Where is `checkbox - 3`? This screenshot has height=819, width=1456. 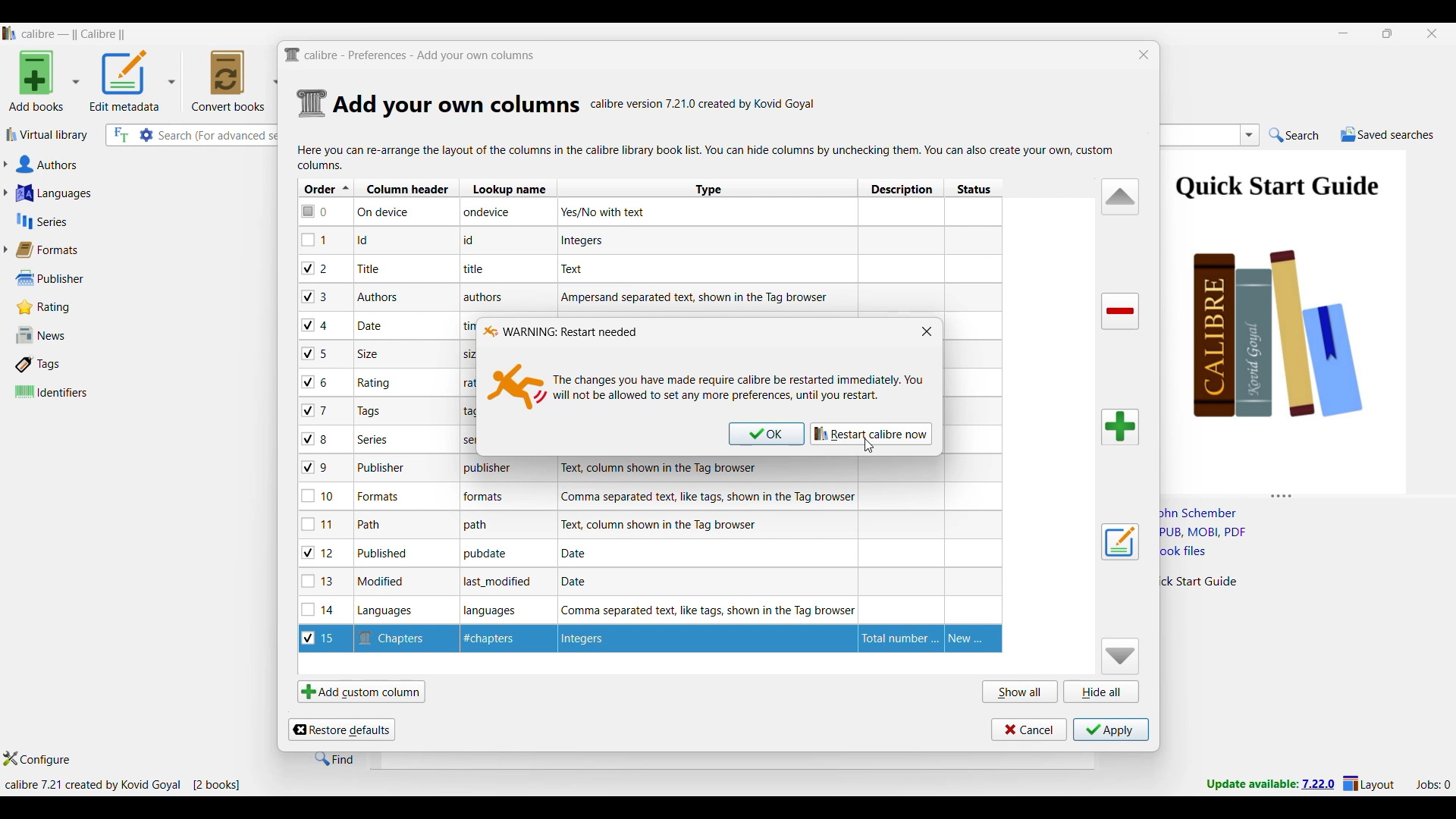
checkbox - 3 is located at coordinates (316, 297).